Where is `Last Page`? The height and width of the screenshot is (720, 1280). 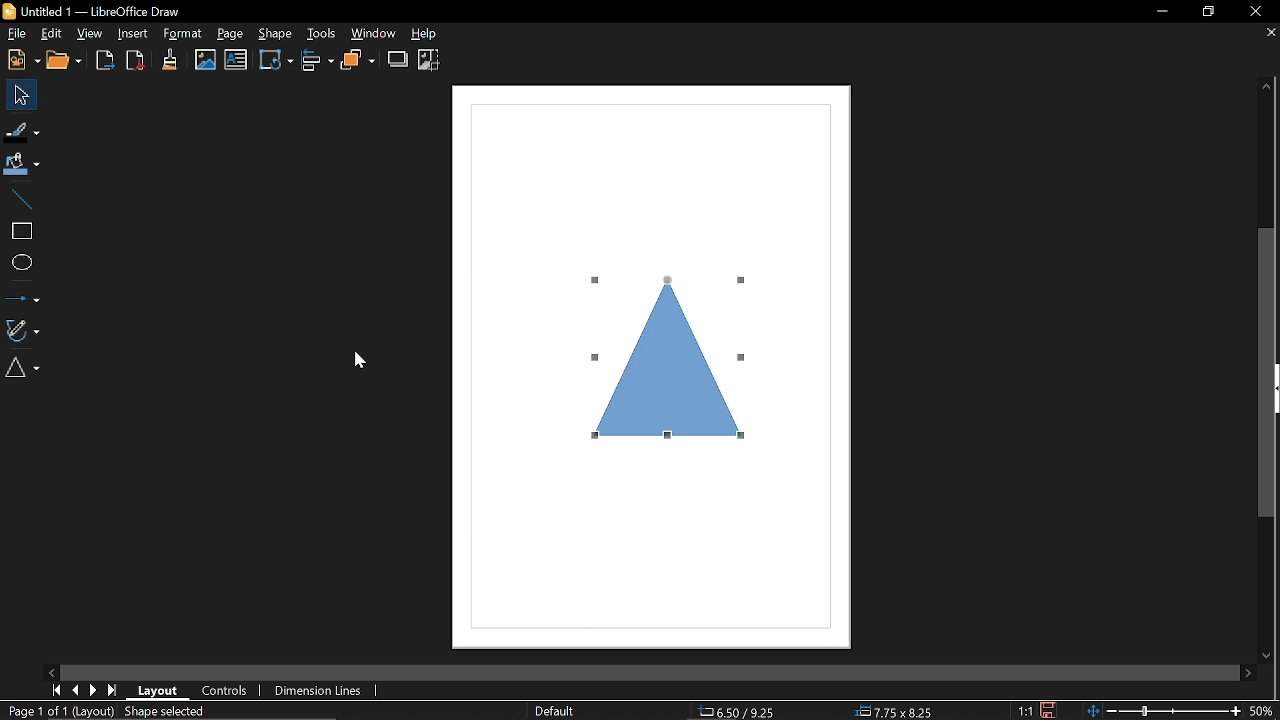
Last Page is located at coordinates (113, 691).